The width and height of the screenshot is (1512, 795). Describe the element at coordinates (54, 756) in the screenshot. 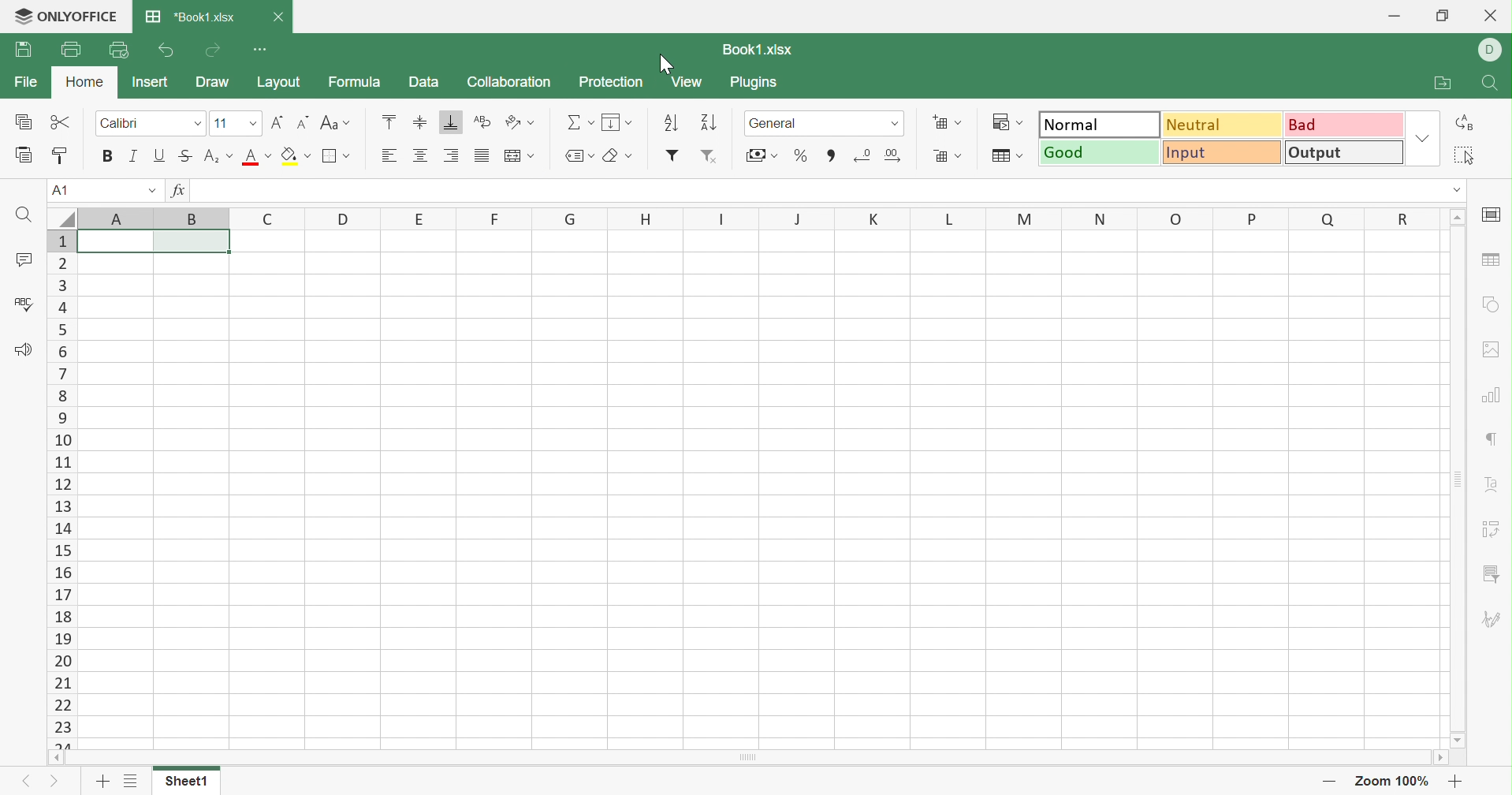

I see `Scroll Left` at that location.